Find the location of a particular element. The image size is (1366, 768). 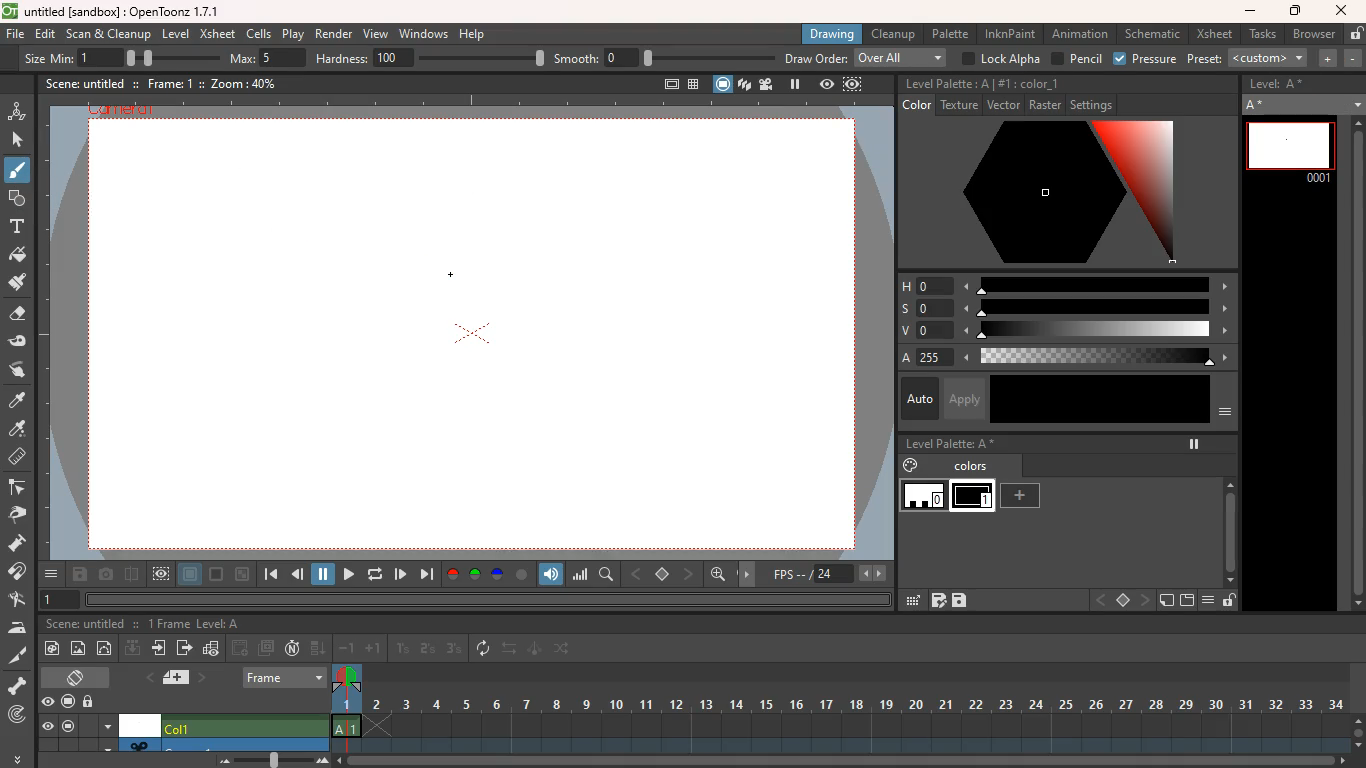

2 is located at coordinates (427, 649).